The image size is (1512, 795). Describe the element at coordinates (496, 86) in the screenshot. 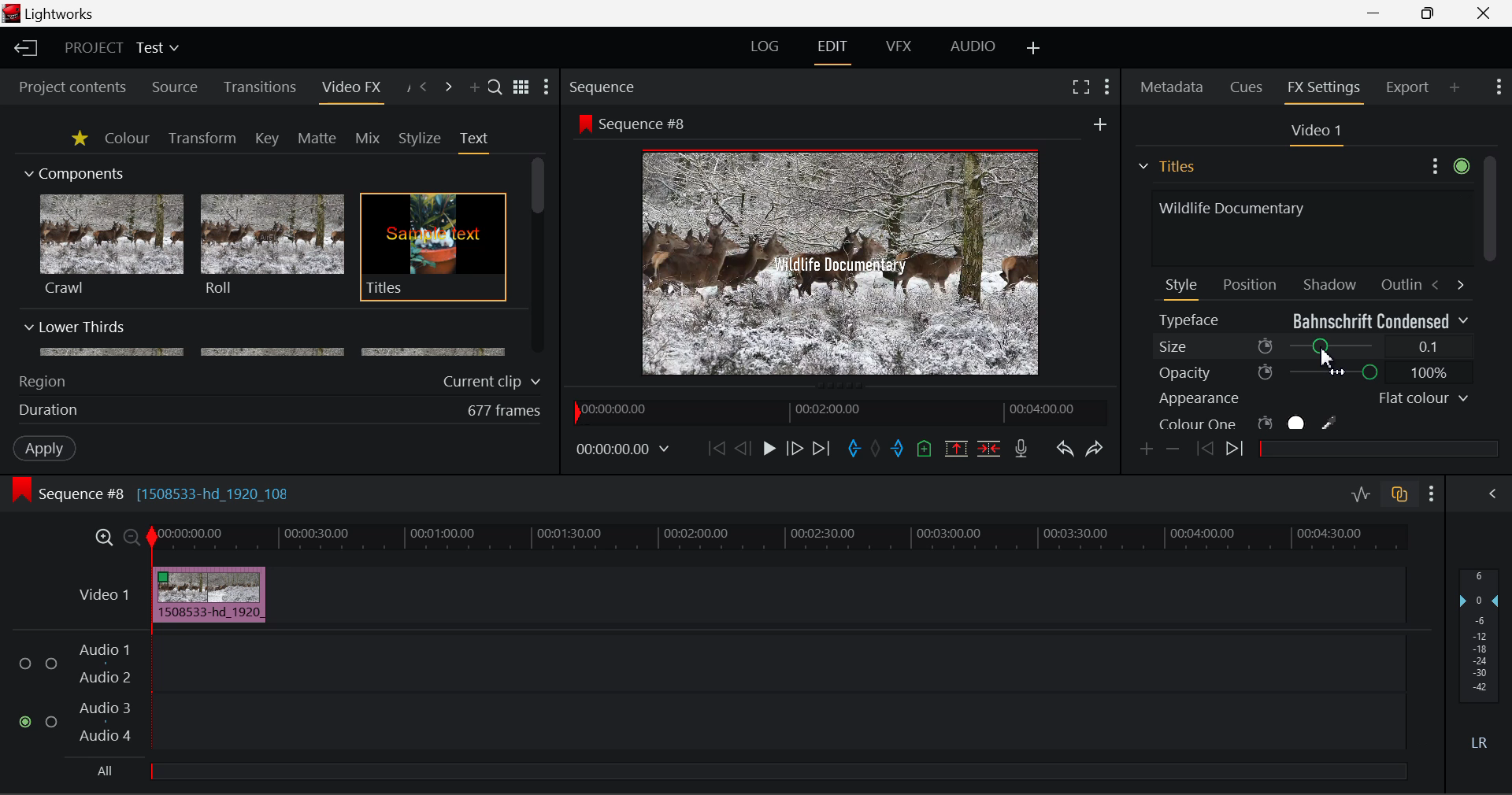

I see `Search` at that location.